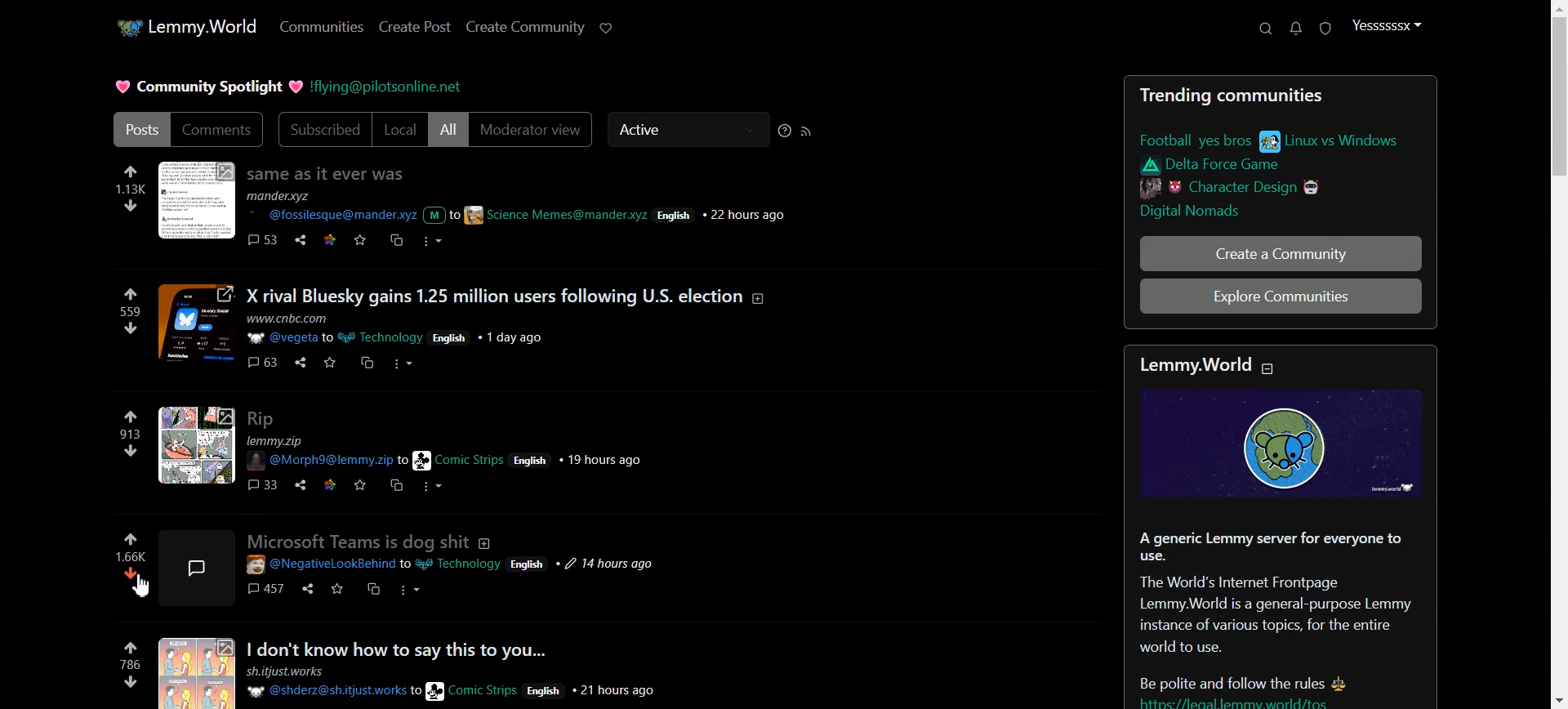  Describe the element at coordinates (377, 589) in the screenshot. I see `cs` at that location.